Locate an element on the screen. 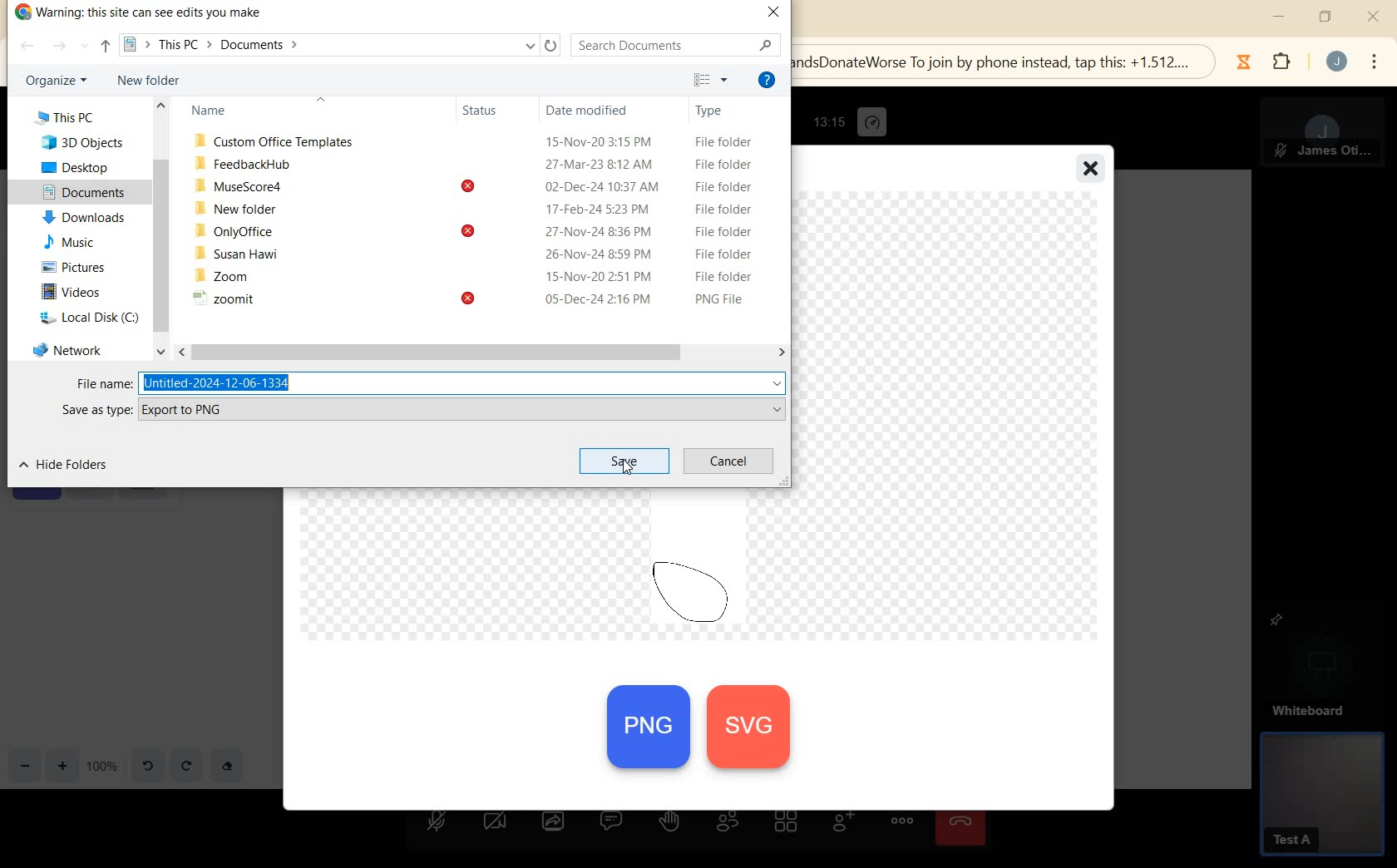 The image size is (1397, 868). network is located at coordinates (81, 349).